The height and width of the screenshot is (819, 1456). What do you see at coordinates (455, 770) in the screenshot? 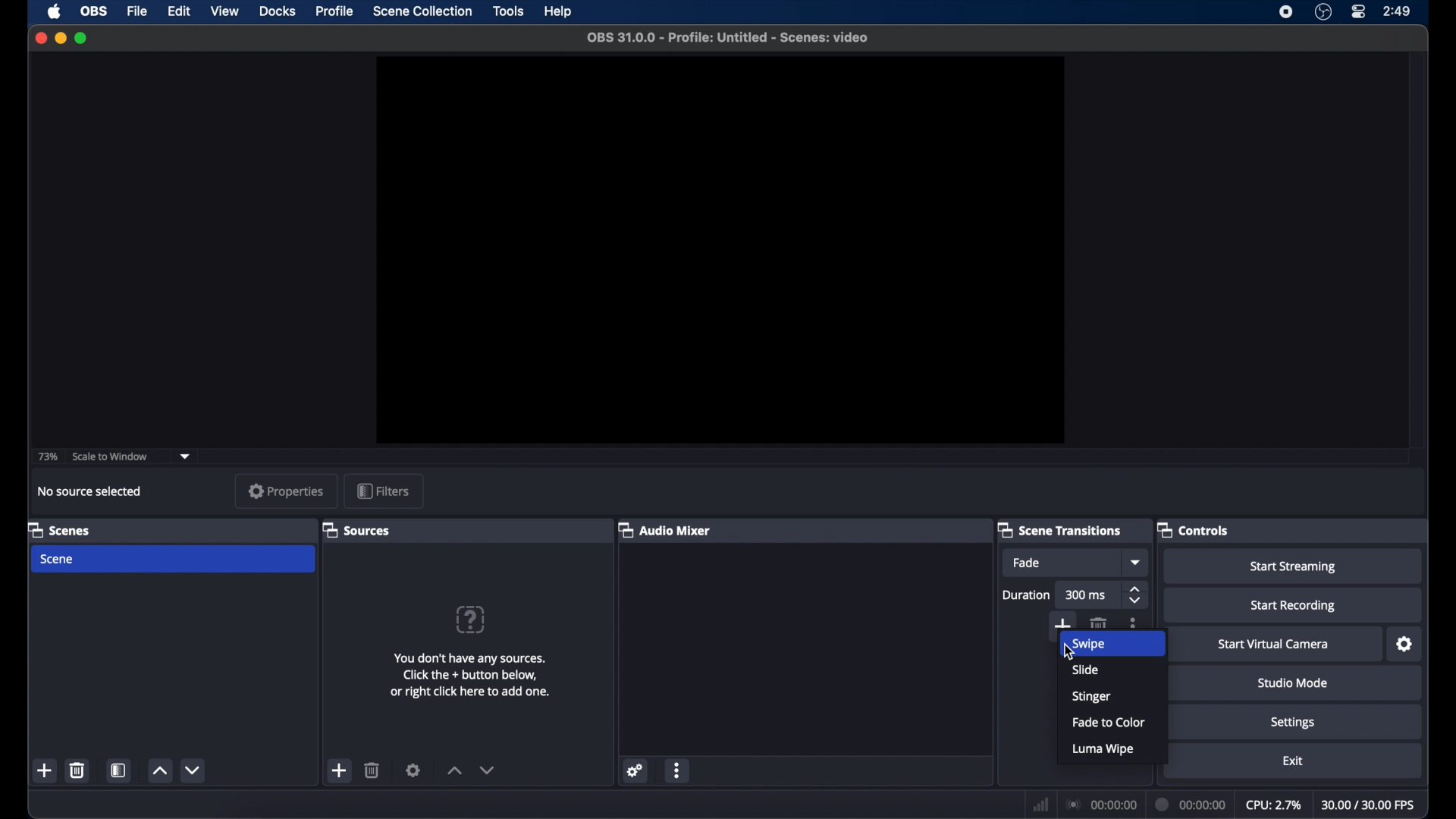
I see `increment` at bounding box center [455, 770].